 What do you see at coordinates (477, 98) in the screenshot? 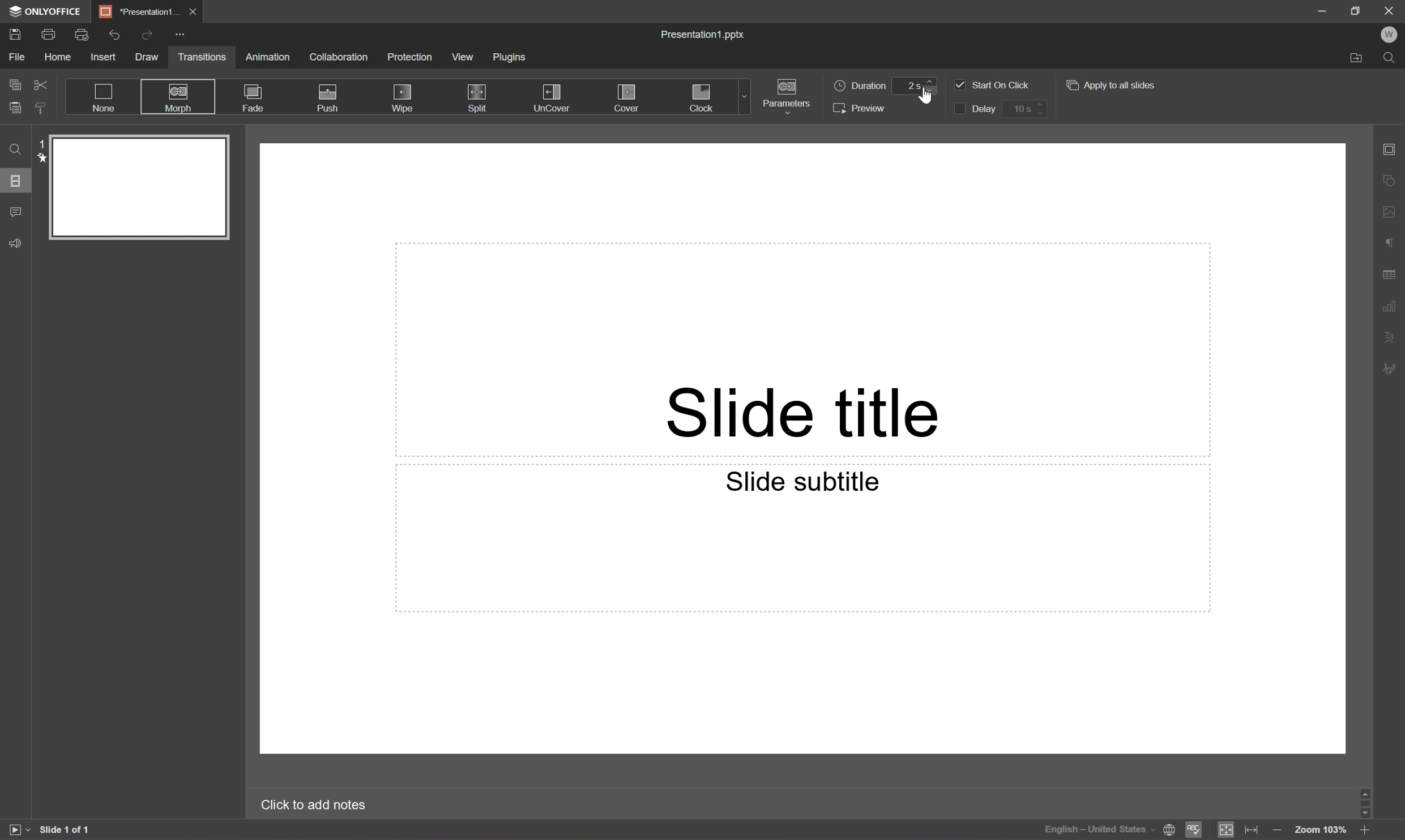
I see `Split` at bounding box center [477, 98].